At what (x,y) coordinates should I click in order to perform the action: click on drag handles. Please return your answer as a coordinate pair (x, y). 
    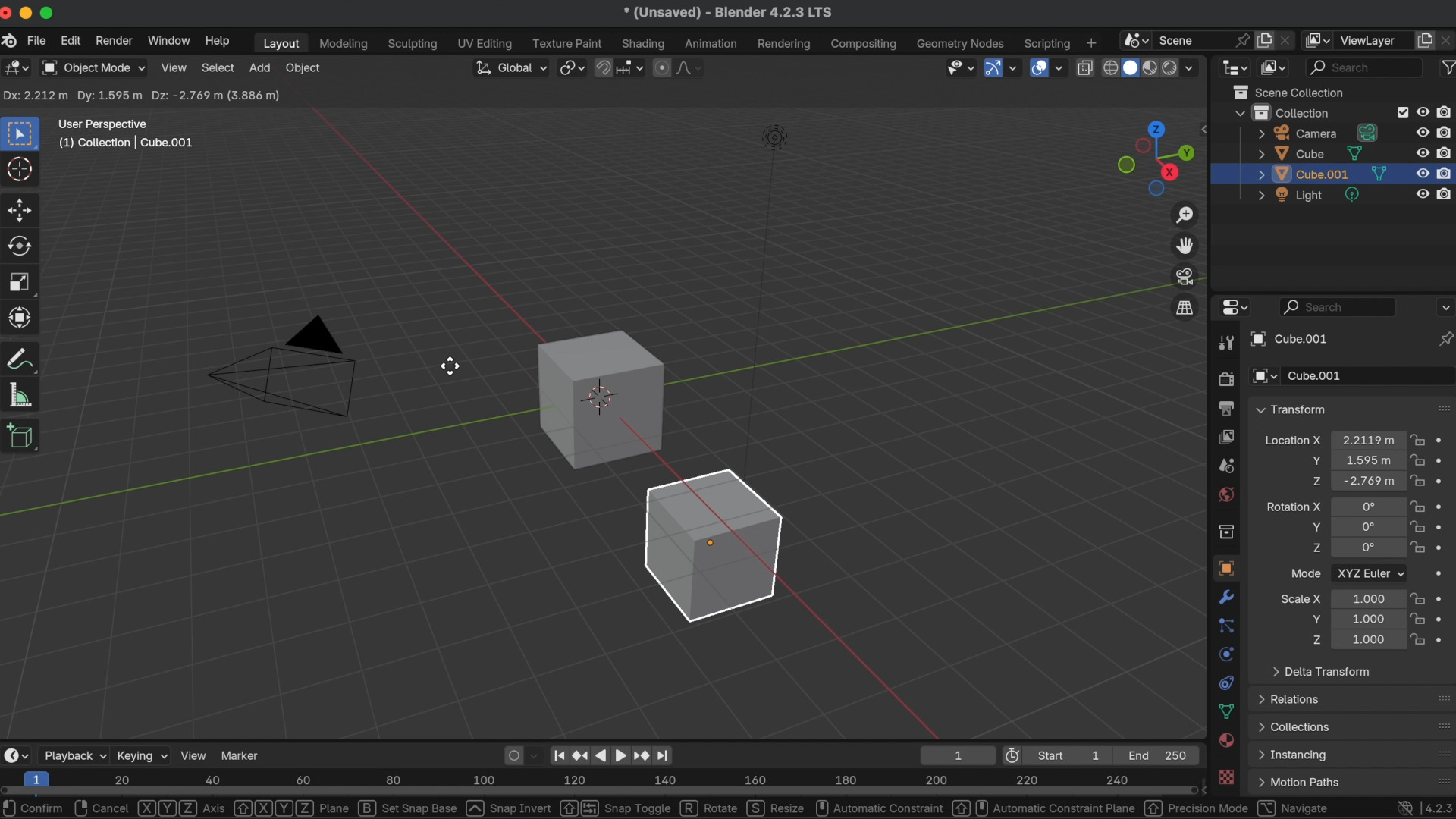
    Looking at the image, I should click on (1441, 726).